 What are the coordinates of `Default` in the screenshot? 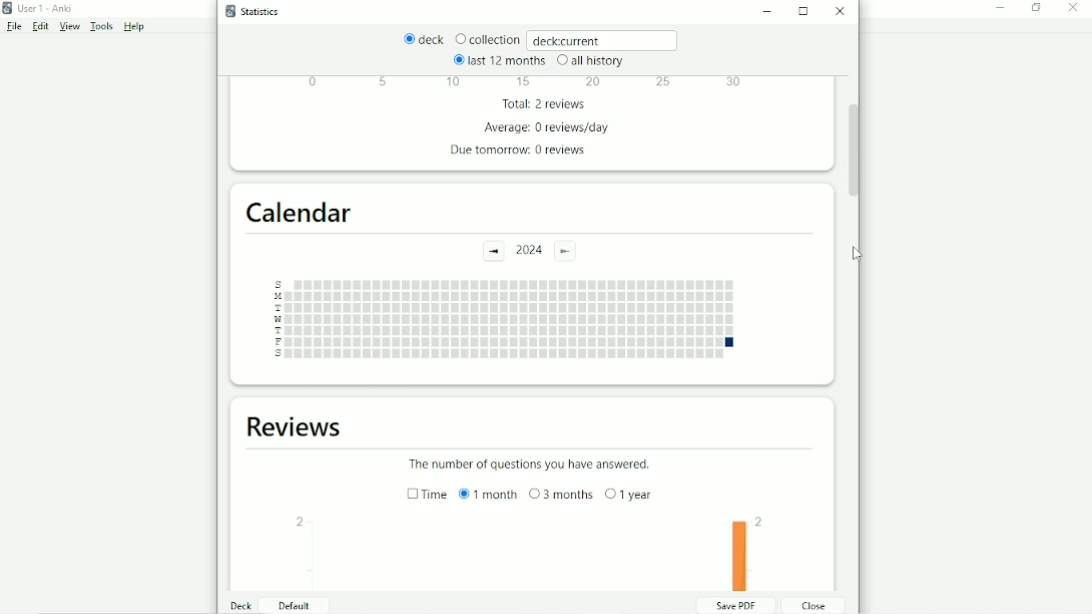 It's located at (292, 605).